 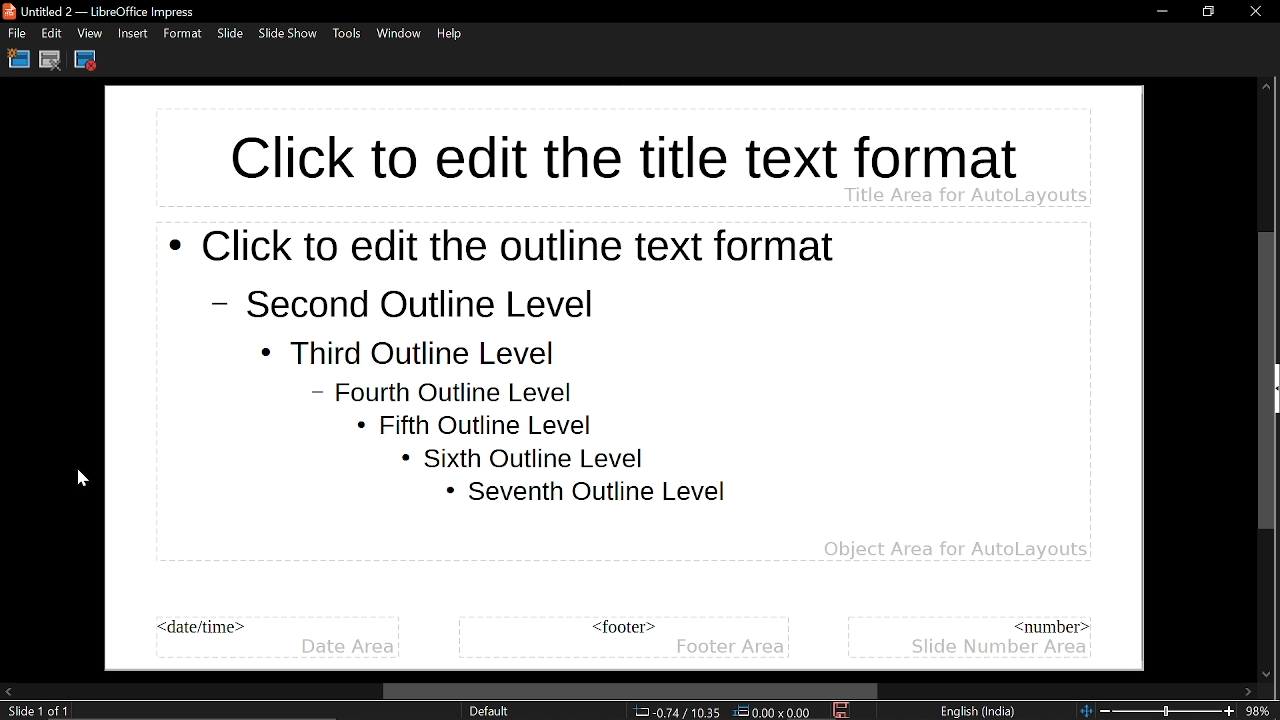 What do you see at coordinates (630, 690) in the screenshot?
I see `Horizontal scrollbar` at bounding box center [630, 690].